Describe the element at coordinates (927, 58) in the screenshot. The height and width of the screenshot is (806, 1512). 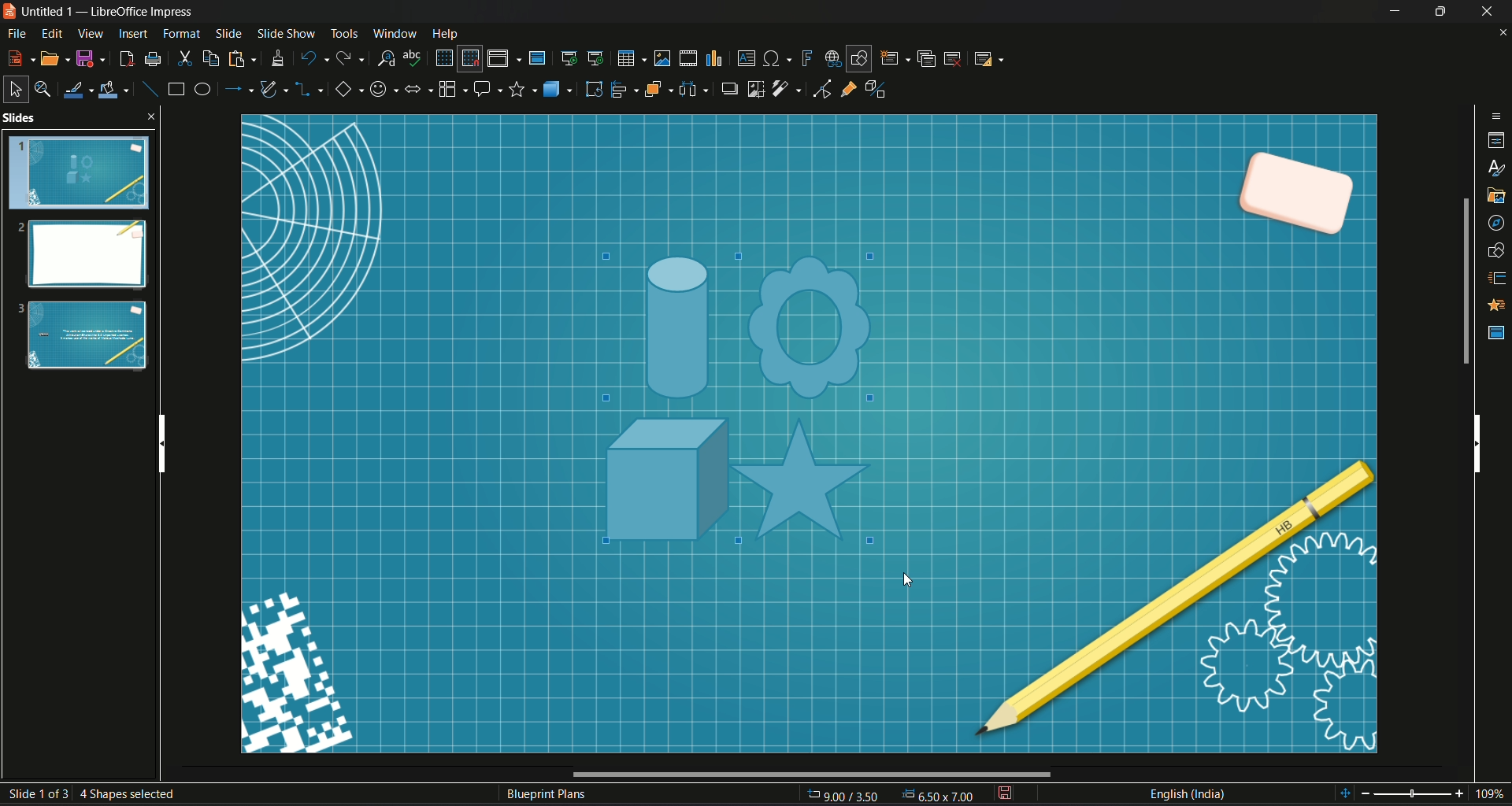
I see `duplicate slide` at that location.